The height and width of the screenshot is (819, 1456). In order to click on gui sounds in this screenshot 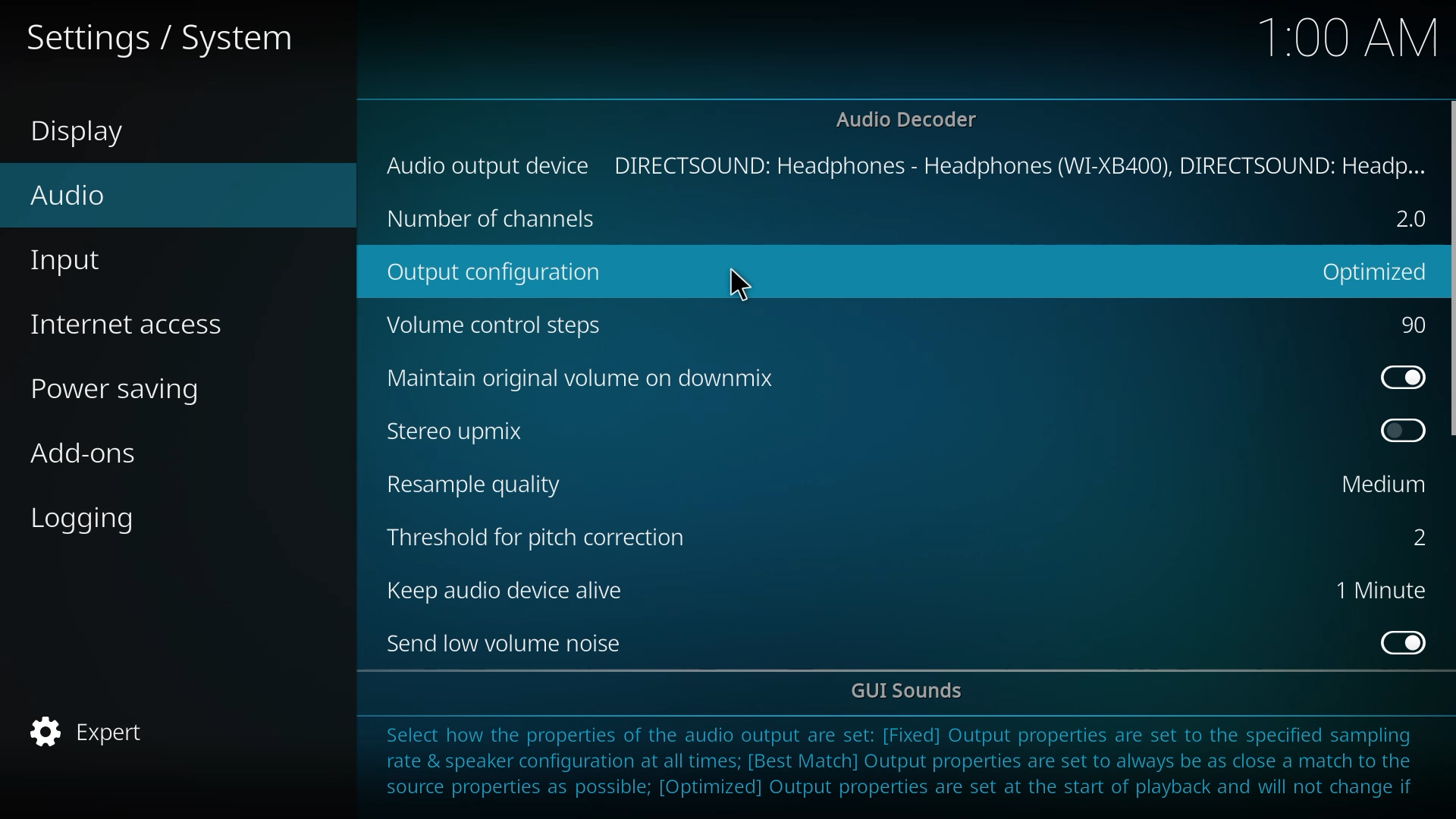, I will do `click(911, 692)`.